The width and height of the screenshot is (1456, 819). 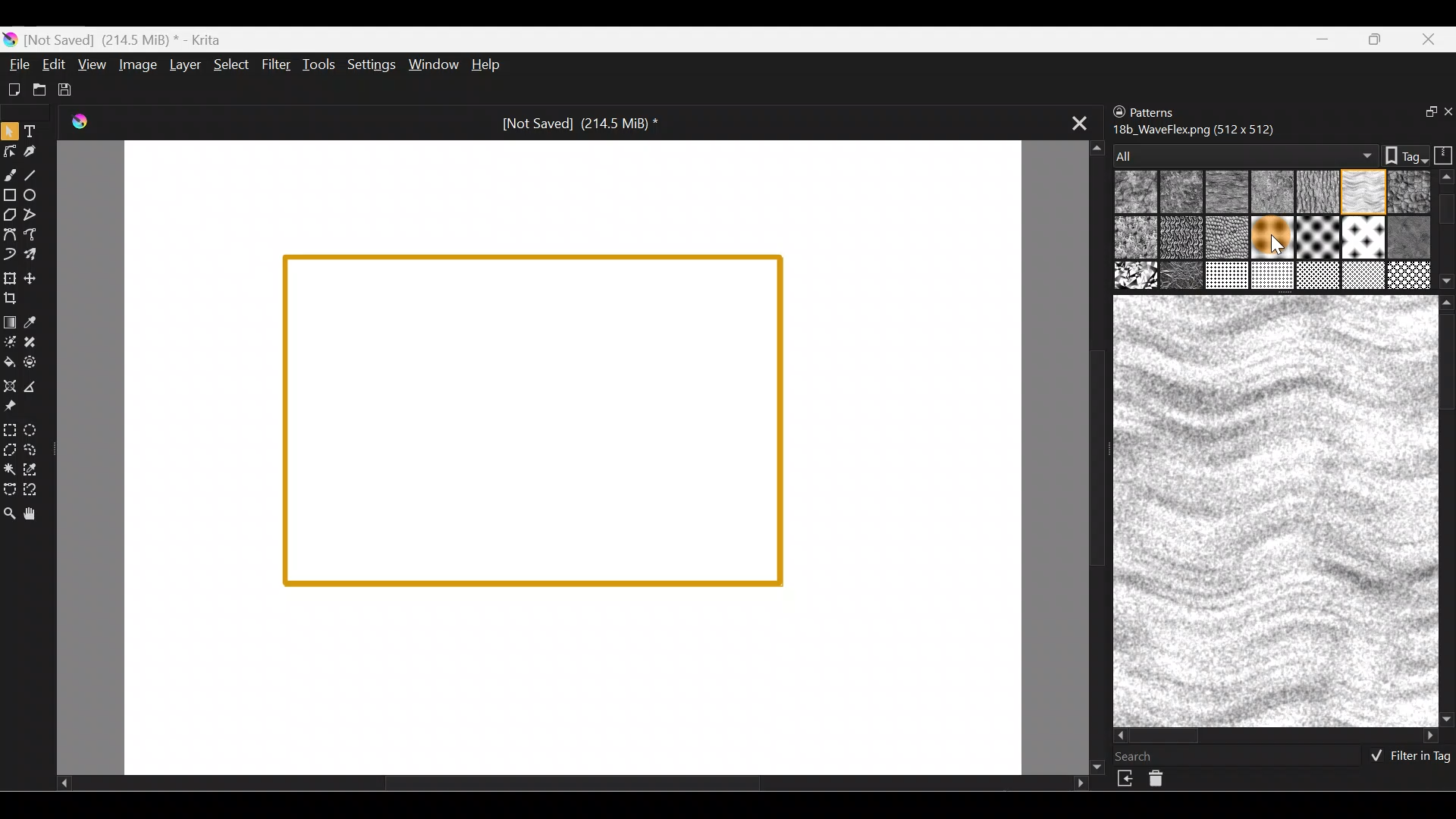 What do you see at coordinates (579, 124) in the screenshot?
I see `[Not Saved] (214.5 MiB) *` at bounding box center [579, 124].